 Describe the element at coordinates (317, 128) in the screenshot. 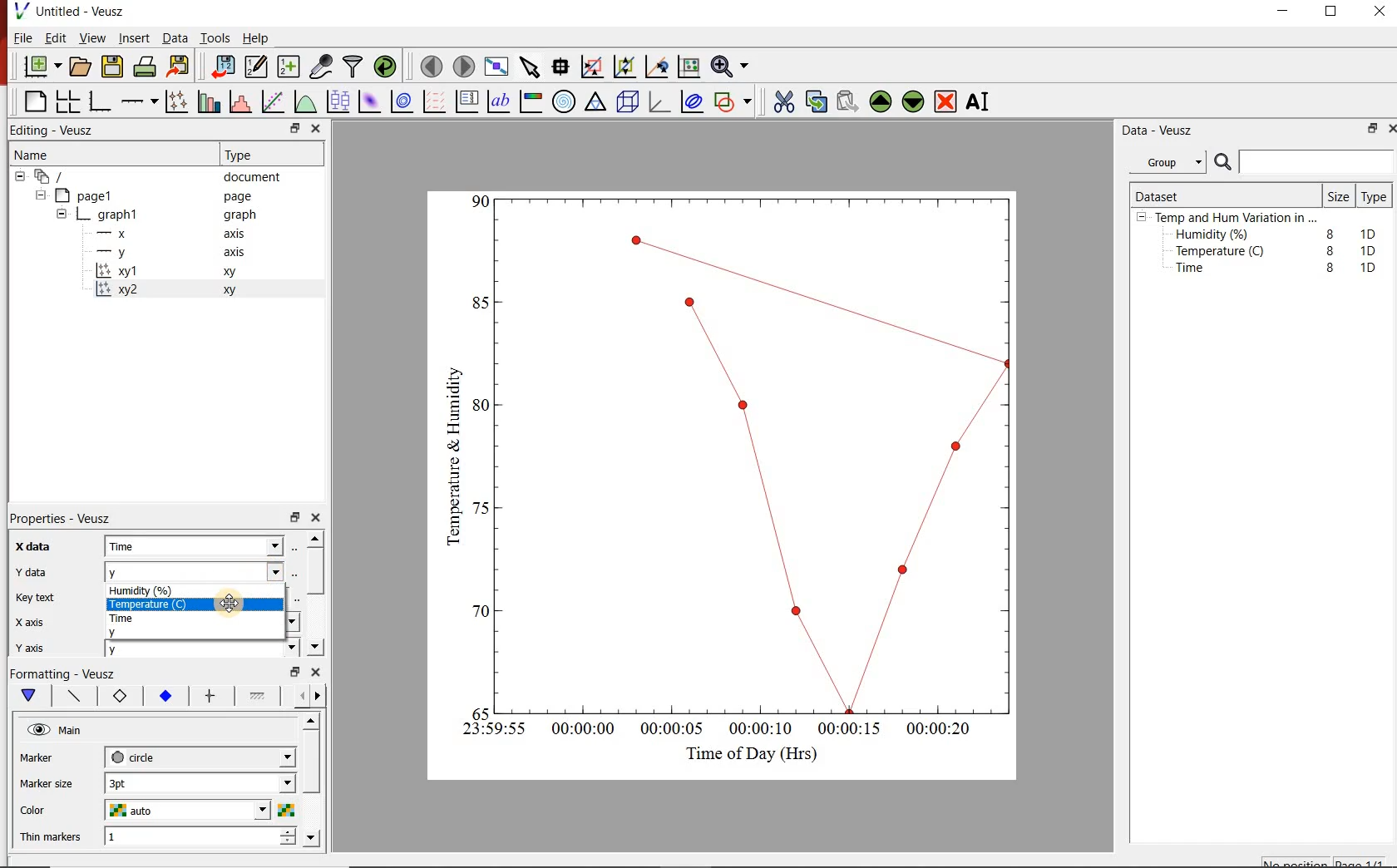

I see `close` at that location.